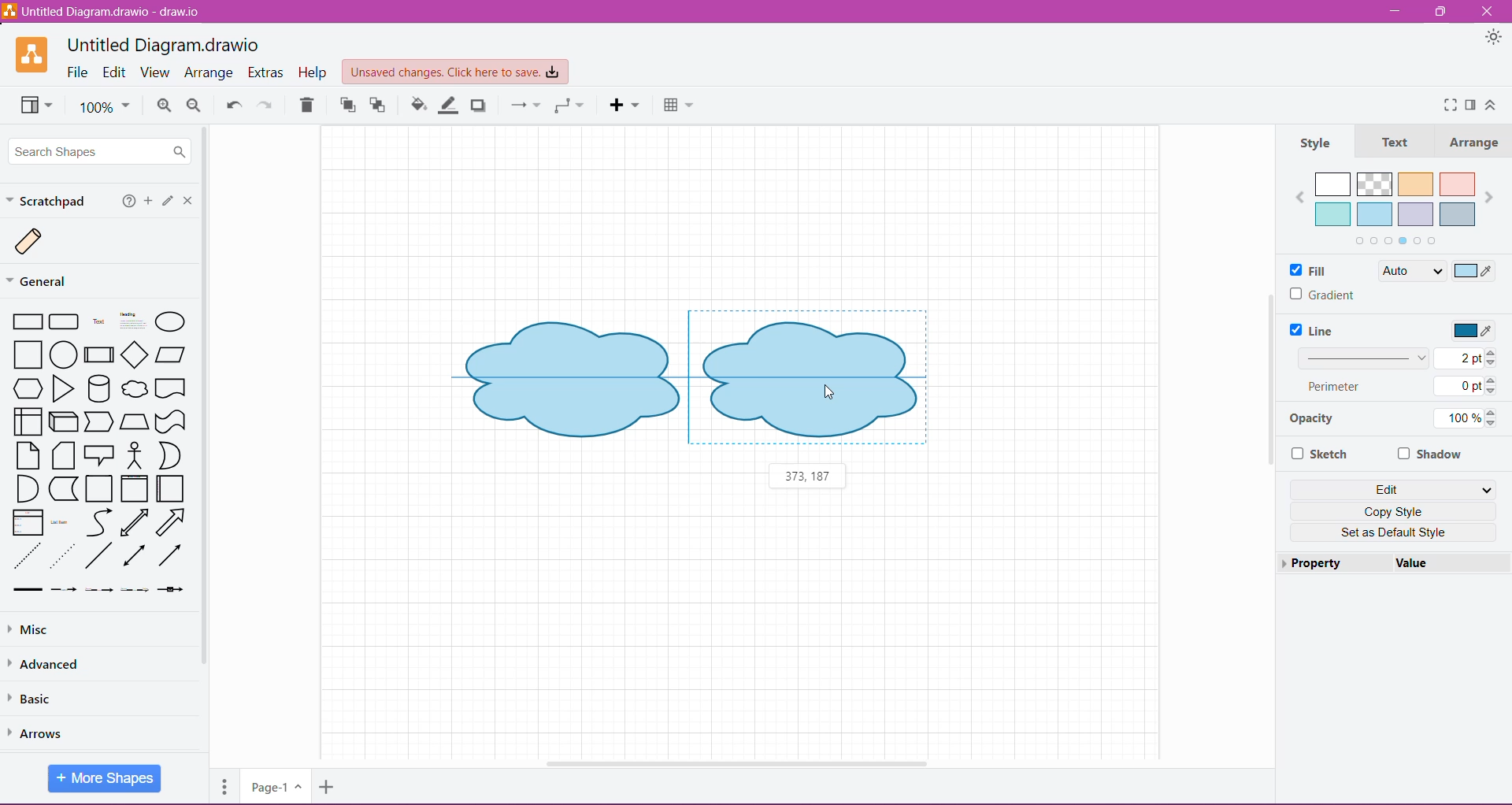 This screenshot has height=805, width=1512. Describe the element at coordinates (454, 72) in the screenshot. I see `Unsaved Changes. Click here to save` at that location.